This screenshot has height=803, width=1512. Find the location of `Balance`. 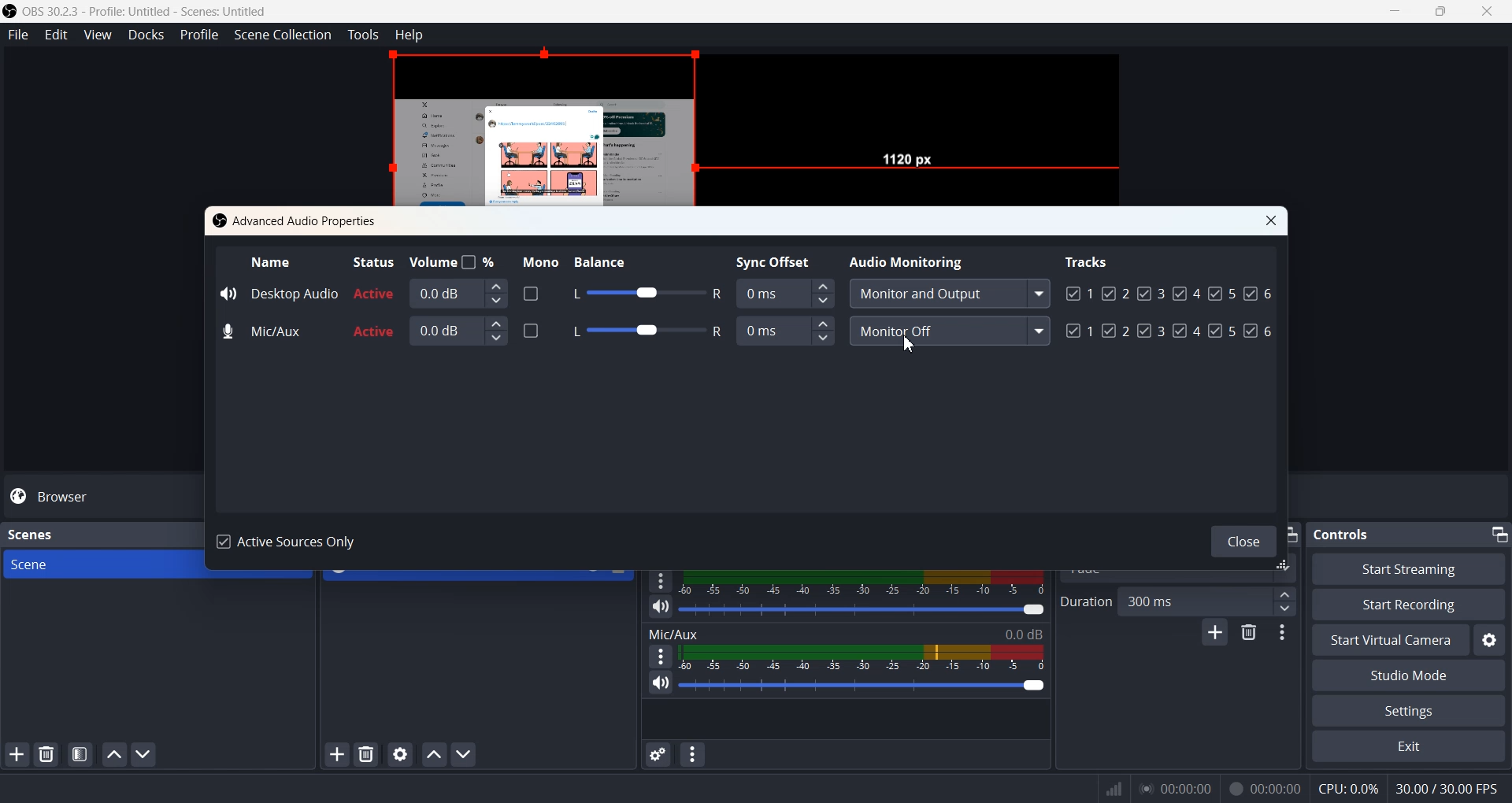

Balance is located at coordinates (614, 259).